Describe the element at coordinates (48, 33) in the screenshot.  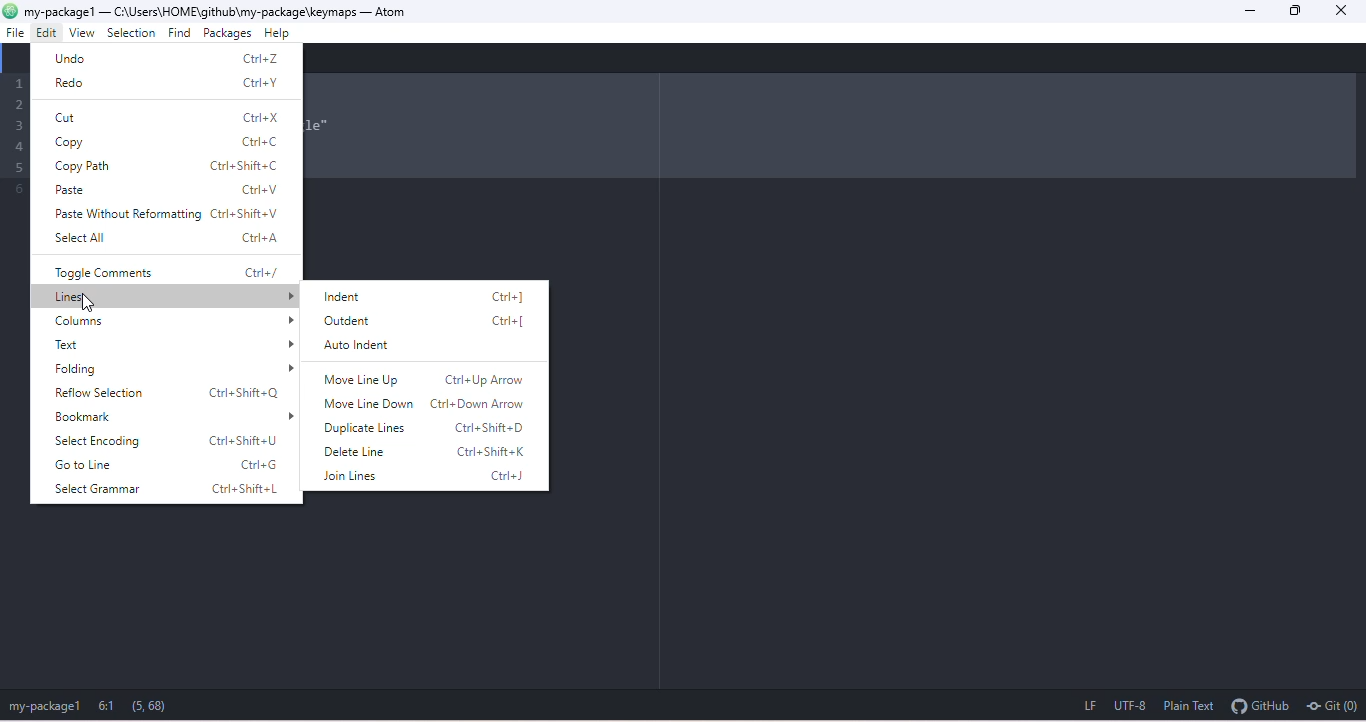
I see `cursor movement` at that location.